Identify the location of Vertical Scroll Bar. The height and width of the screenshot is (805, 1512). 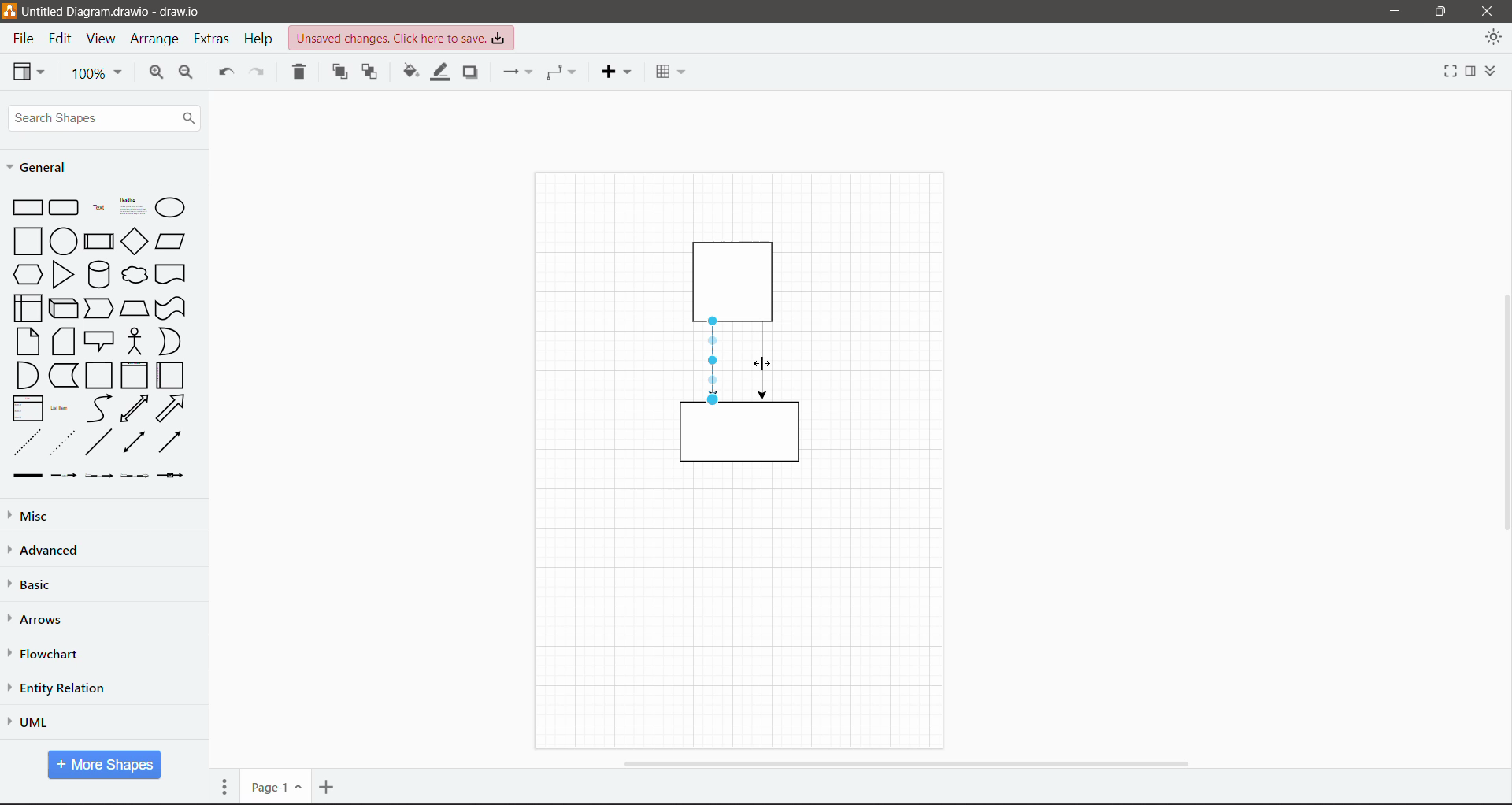
(1502, 412).